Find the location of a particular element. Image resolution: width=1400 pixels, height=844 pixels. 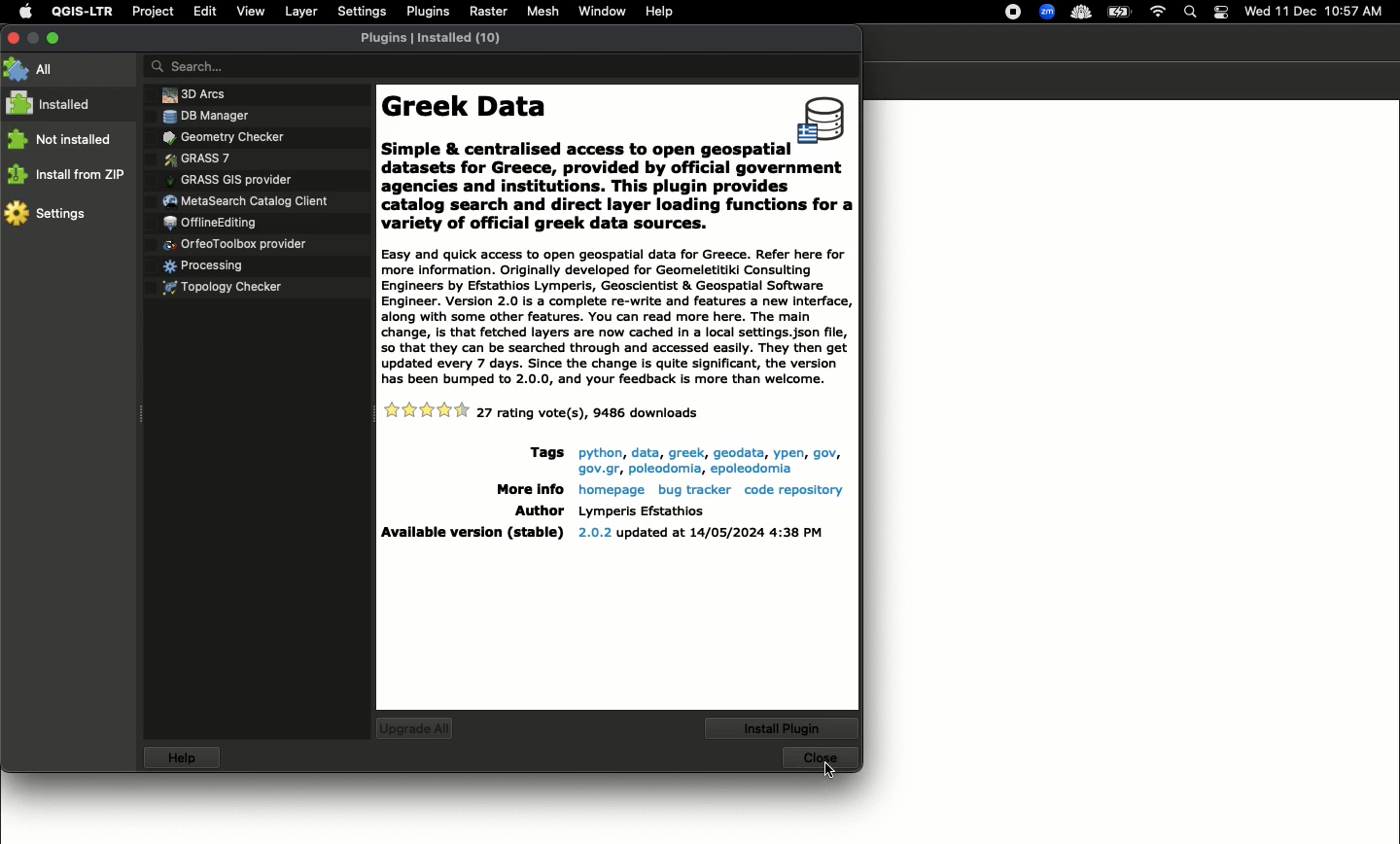

cursor is located at coordinates (828, 771).